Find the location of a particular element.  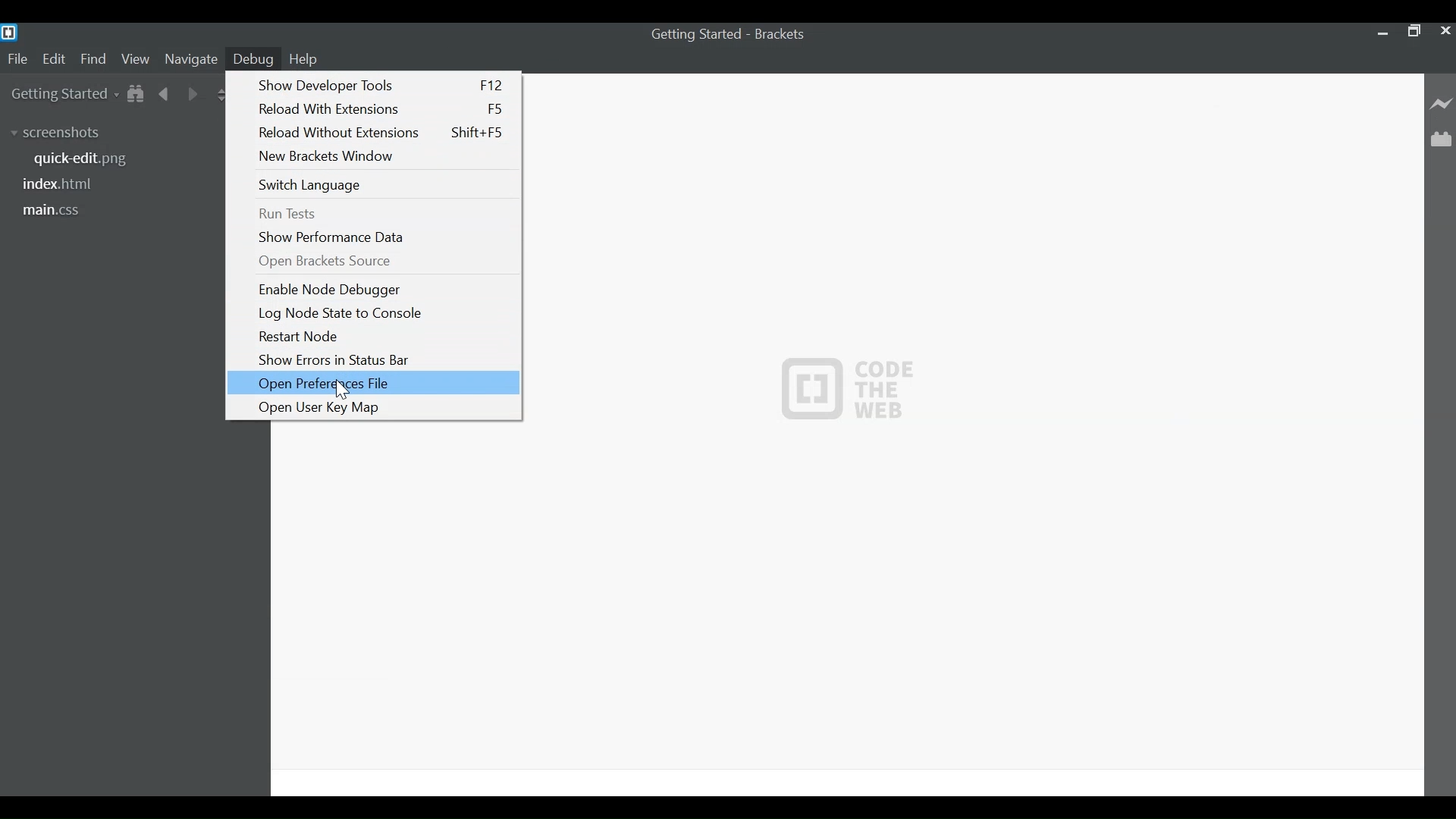

Debug is located at coordinates (252, 58).